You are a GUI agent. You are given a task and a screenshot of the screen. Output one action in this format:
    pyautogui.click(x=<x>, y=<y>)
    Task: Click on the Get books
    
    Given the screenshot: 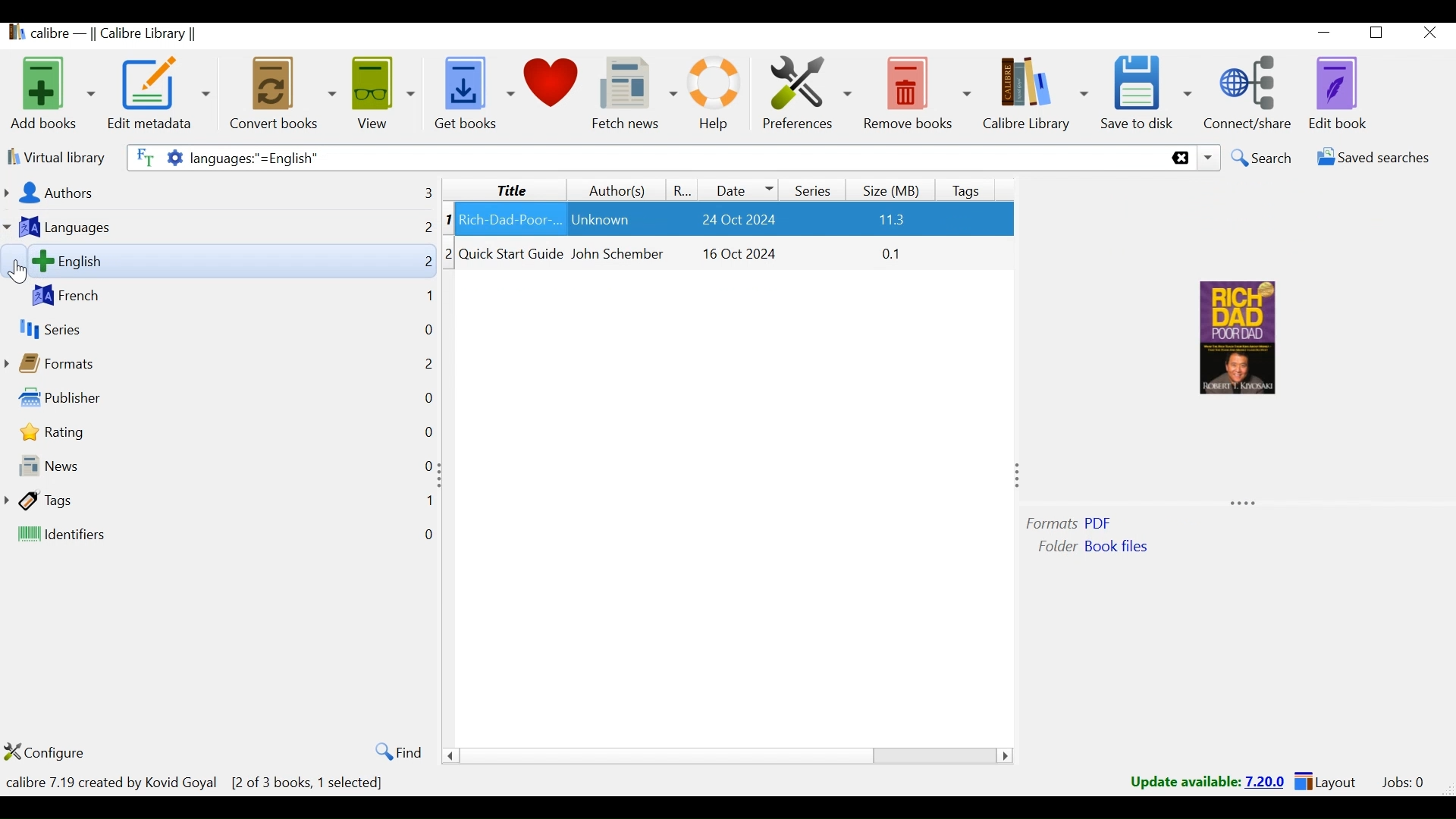 What is the action you would take?
    pyautogui.click(x=472, y=93)
    